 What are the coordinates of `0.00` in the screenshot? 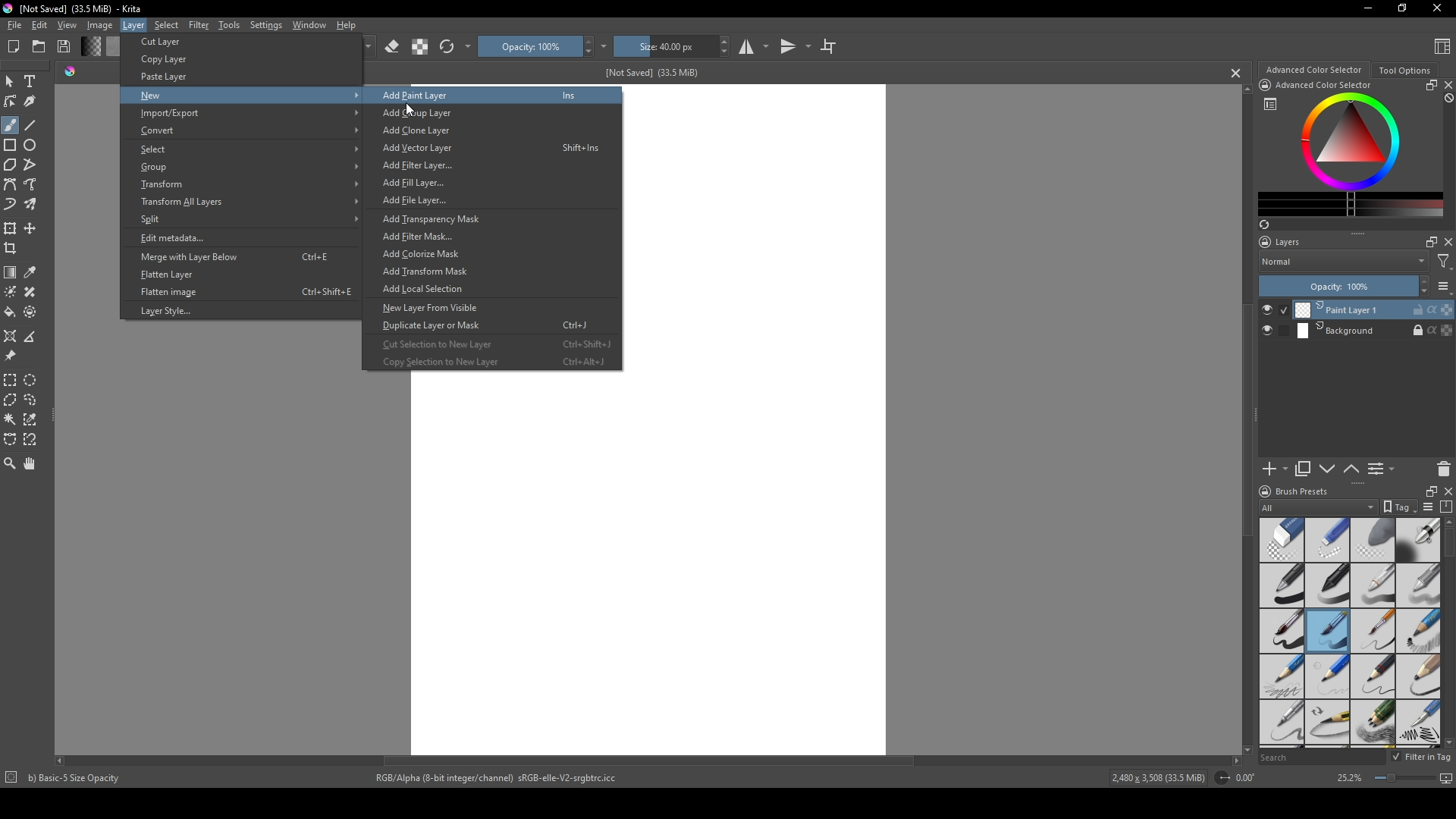 It's located at (1250, 778).